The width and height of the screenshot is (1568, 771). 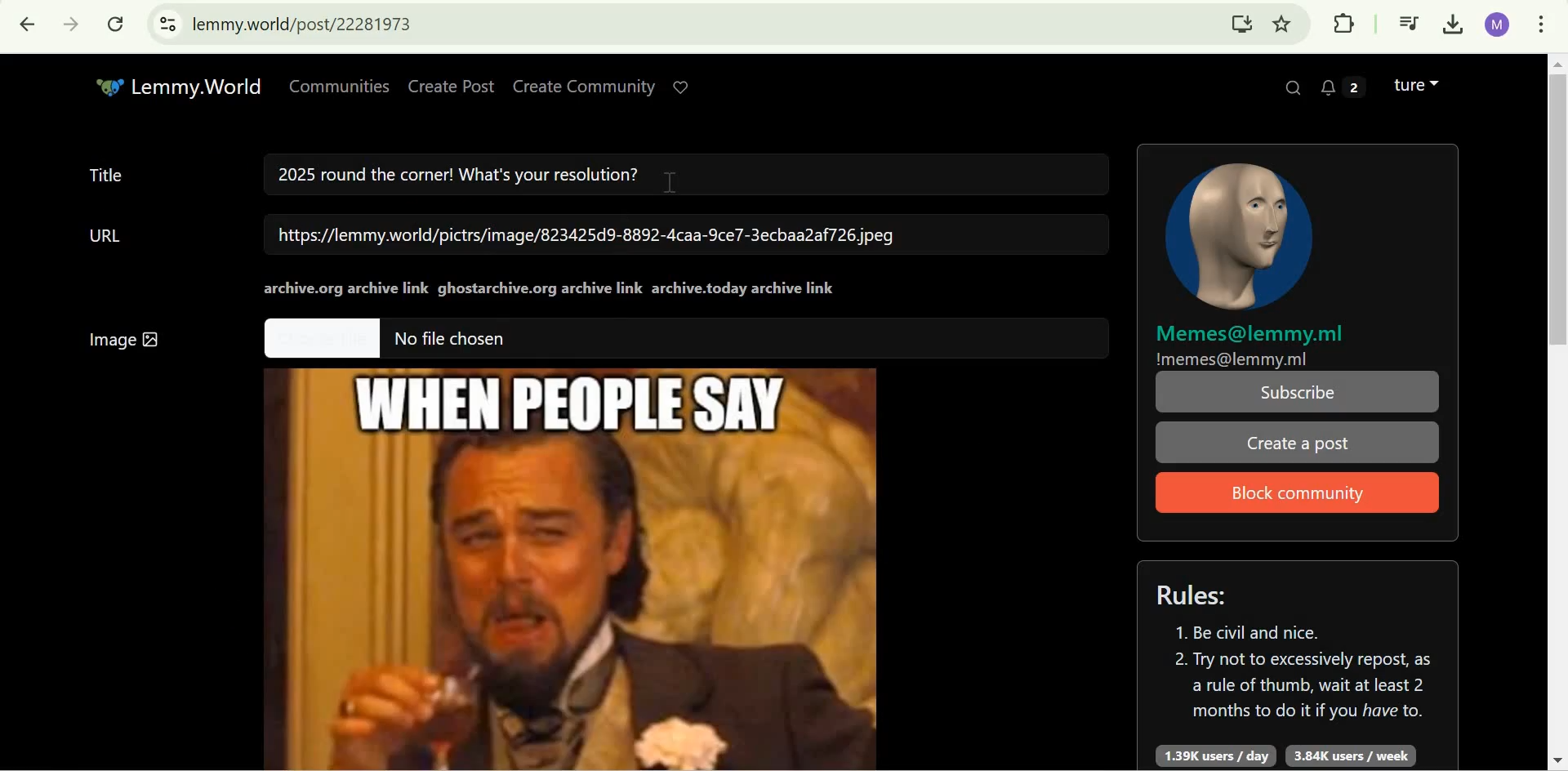 I want to click on No file chosen, so click(x=453, y=339).